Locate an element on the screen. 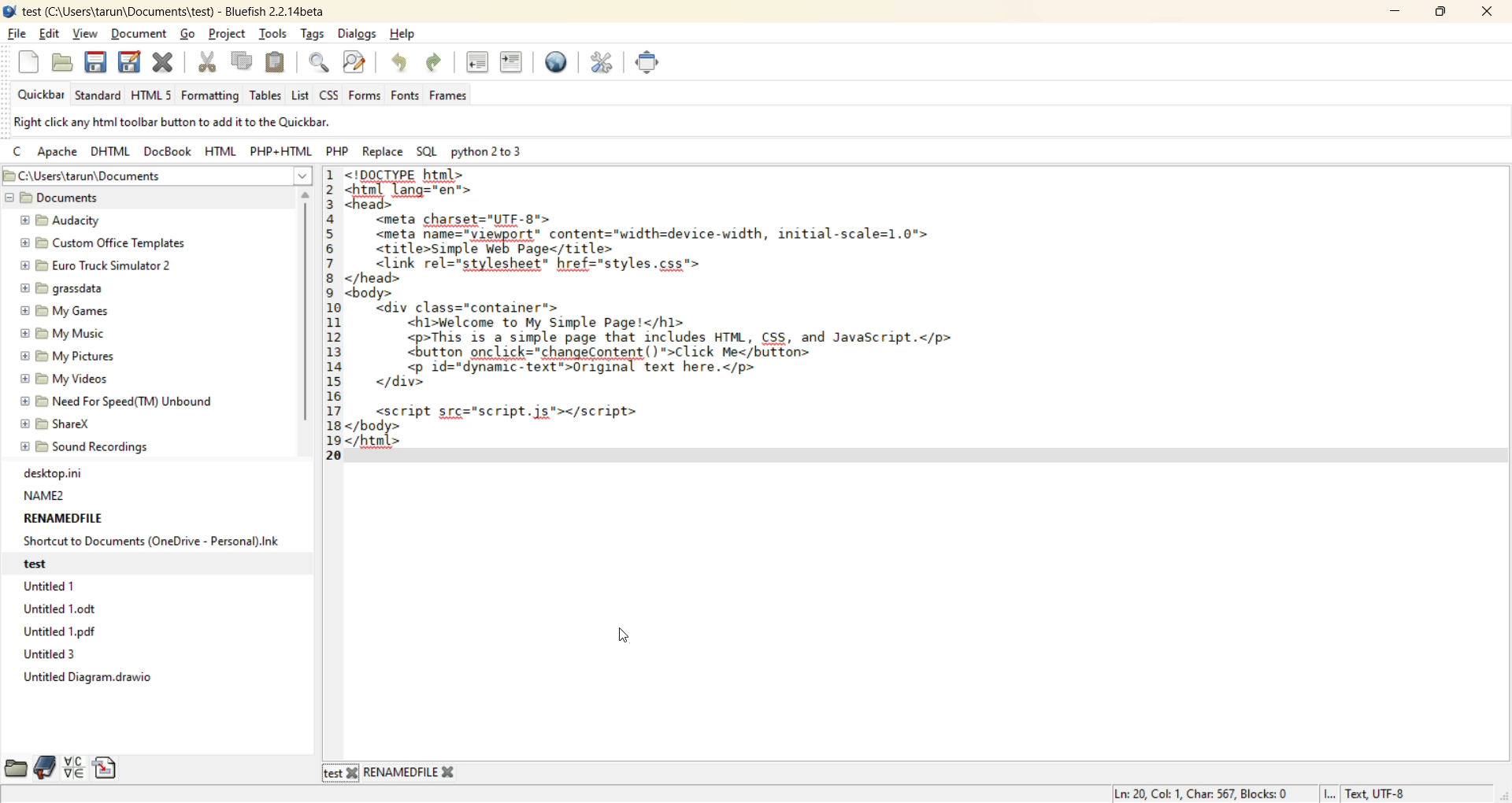  open is located at coordinates (64, 64).